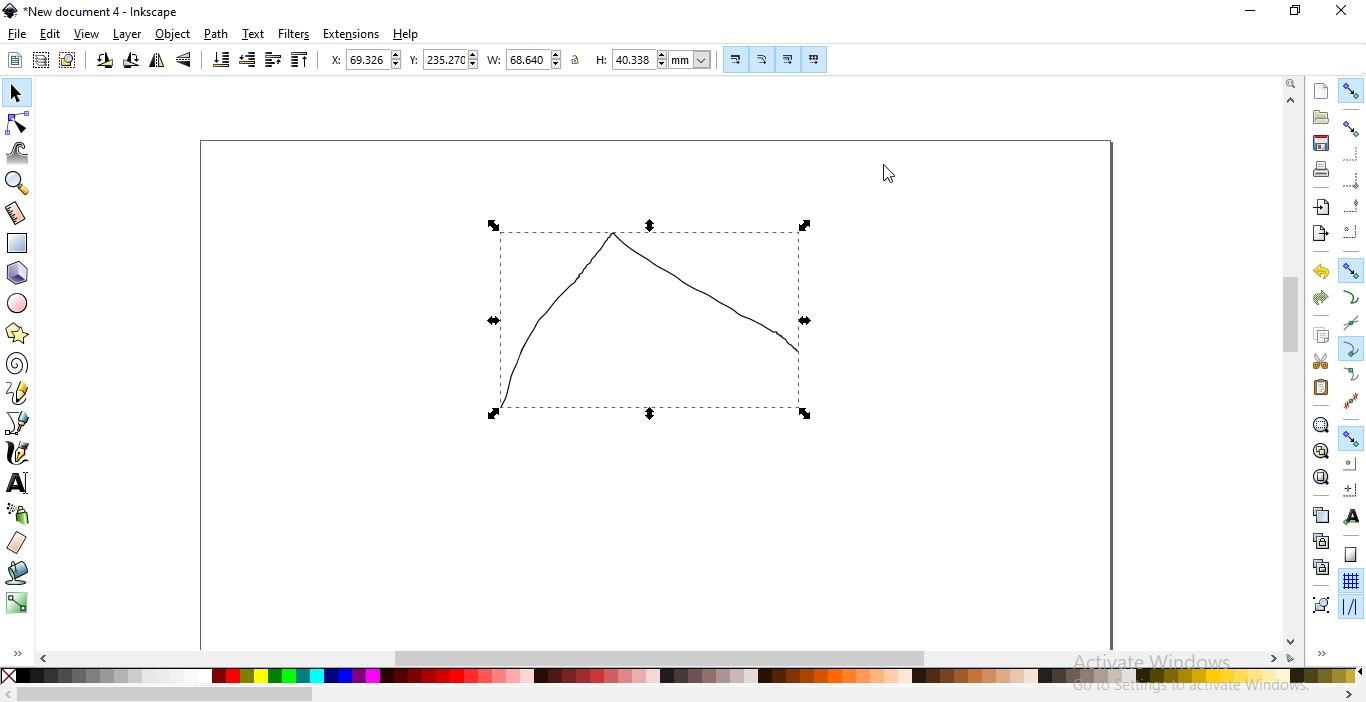 Image resolution: width=1366 pixels, height=702 pixels. Describe the element at coordinates (15, 61) in the screenshot. I see `select all objects or all nodes` at that location.